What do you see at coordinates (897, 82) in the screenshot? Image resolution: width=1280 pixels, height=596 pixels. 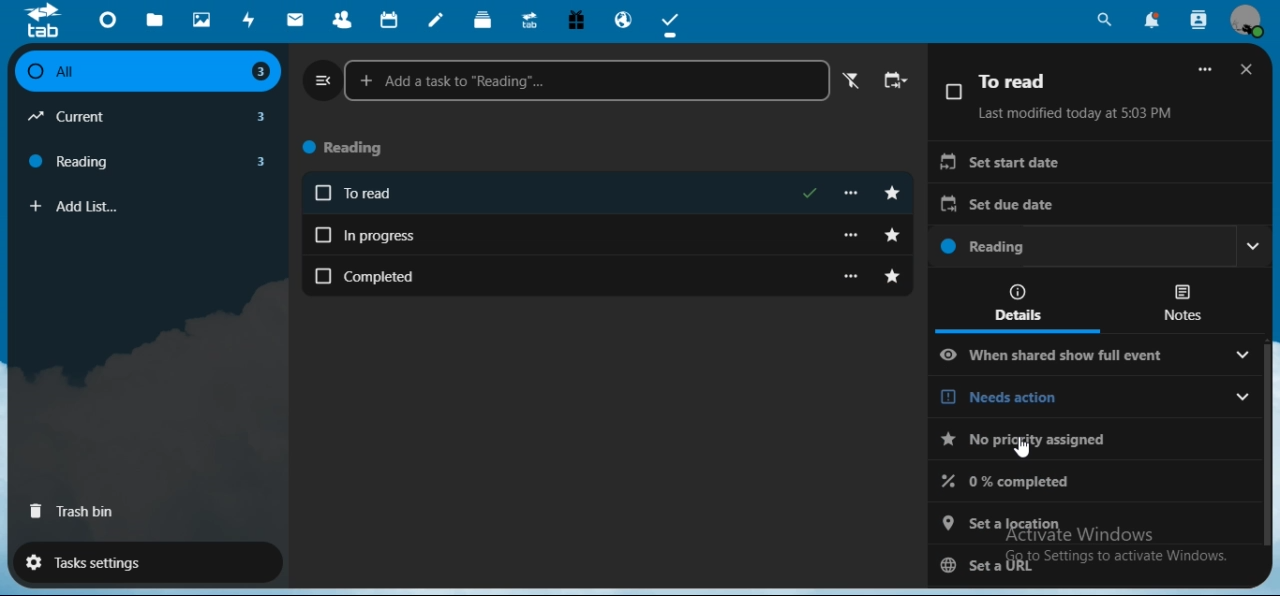 I see `change sort order` at bounding box center [897, 82].